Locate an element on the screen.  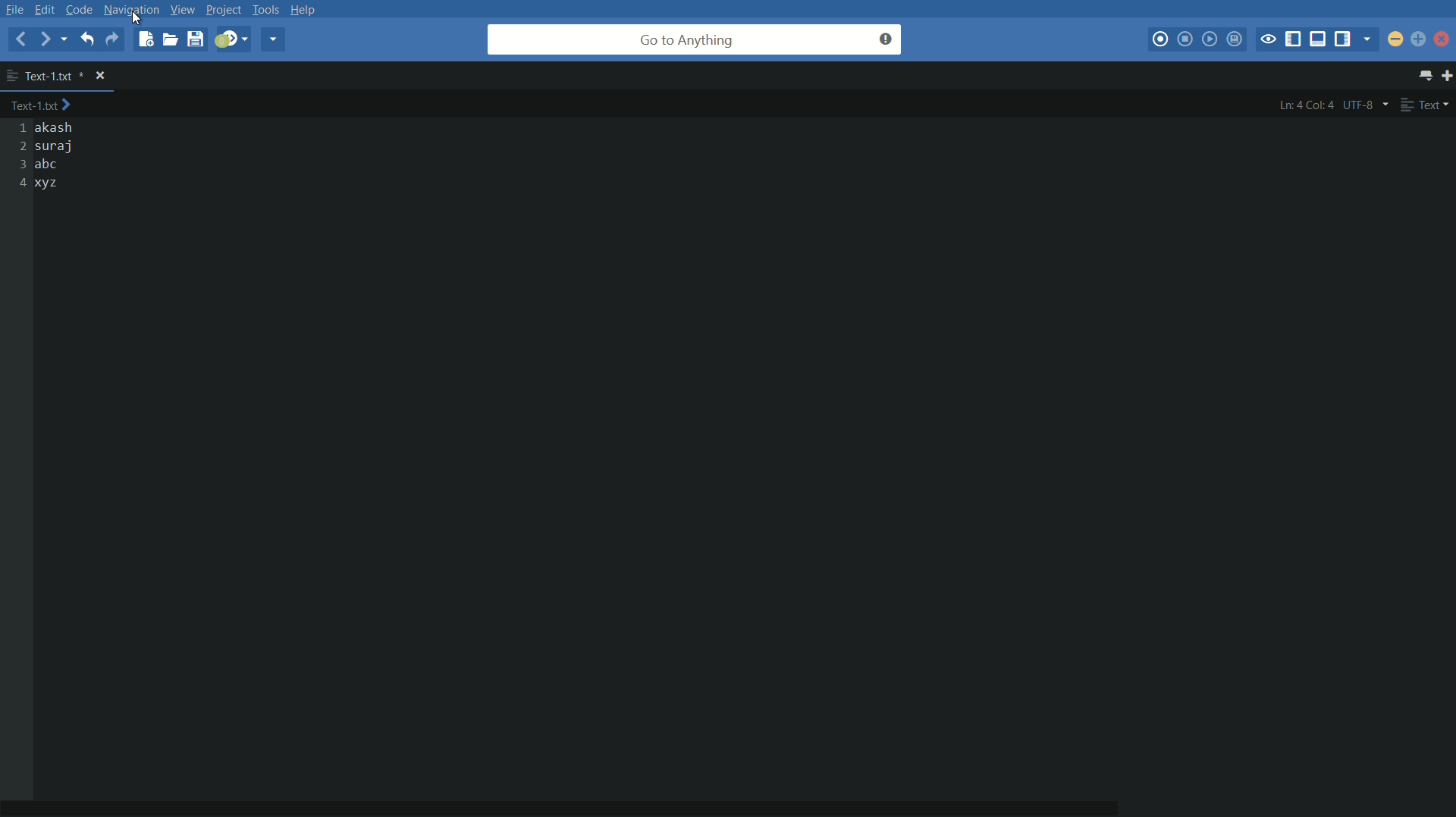
back is located at coordinates (20, 39).